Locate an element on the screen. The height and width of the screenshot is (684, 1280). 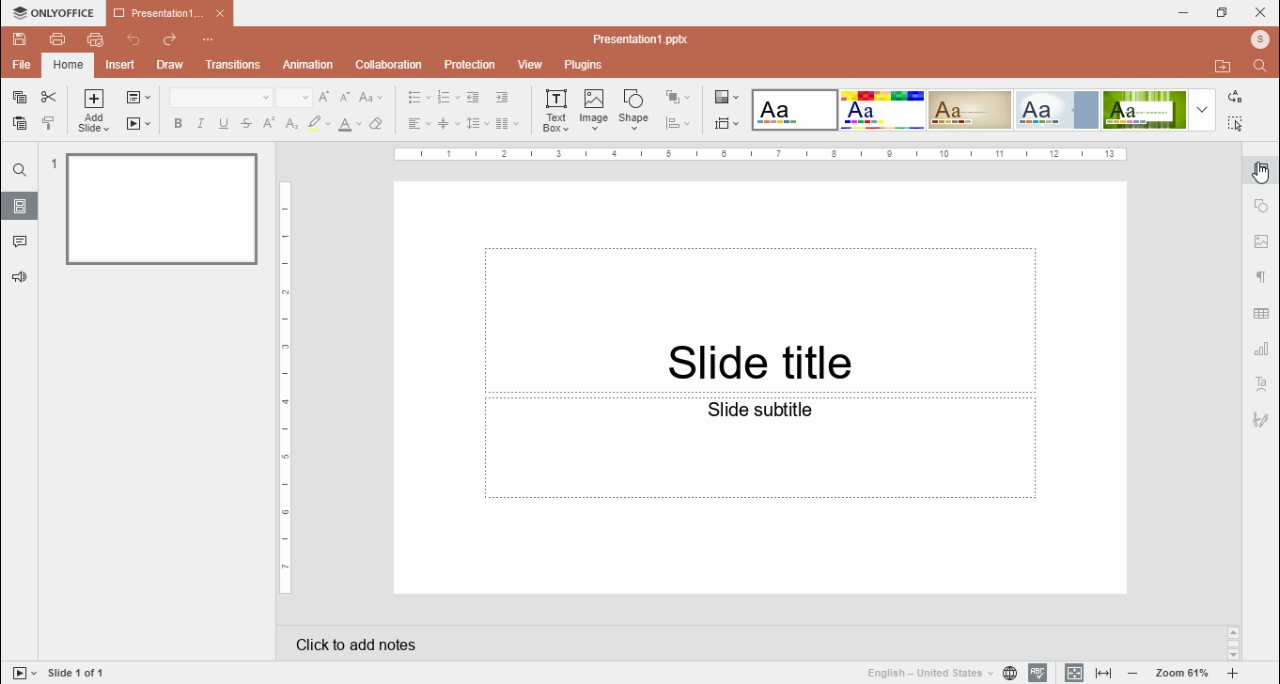
 is located at coordinates (1259, 422).